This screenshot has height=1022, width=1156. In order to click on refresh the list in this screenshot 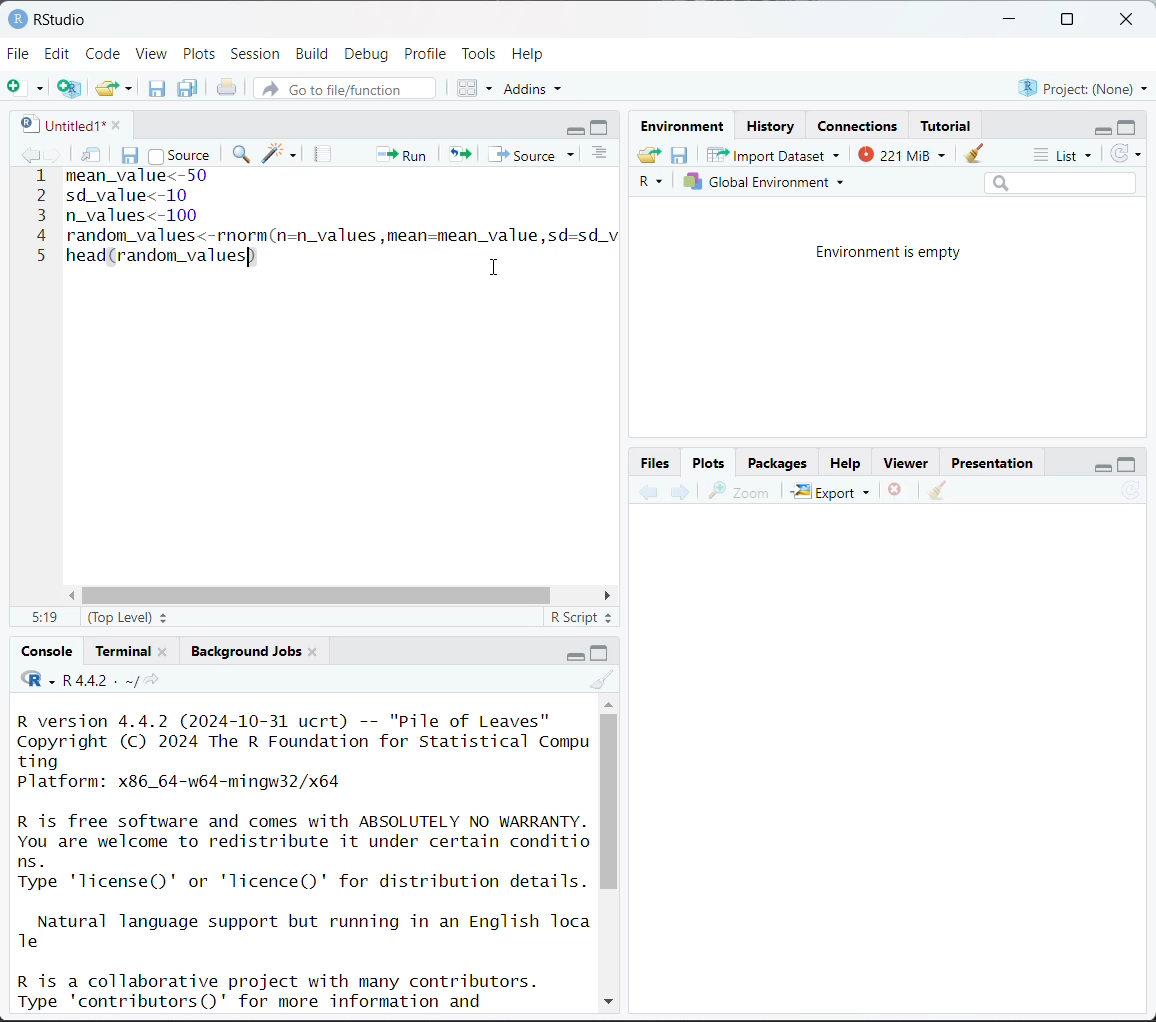, I will do `click(1126, 154)`.